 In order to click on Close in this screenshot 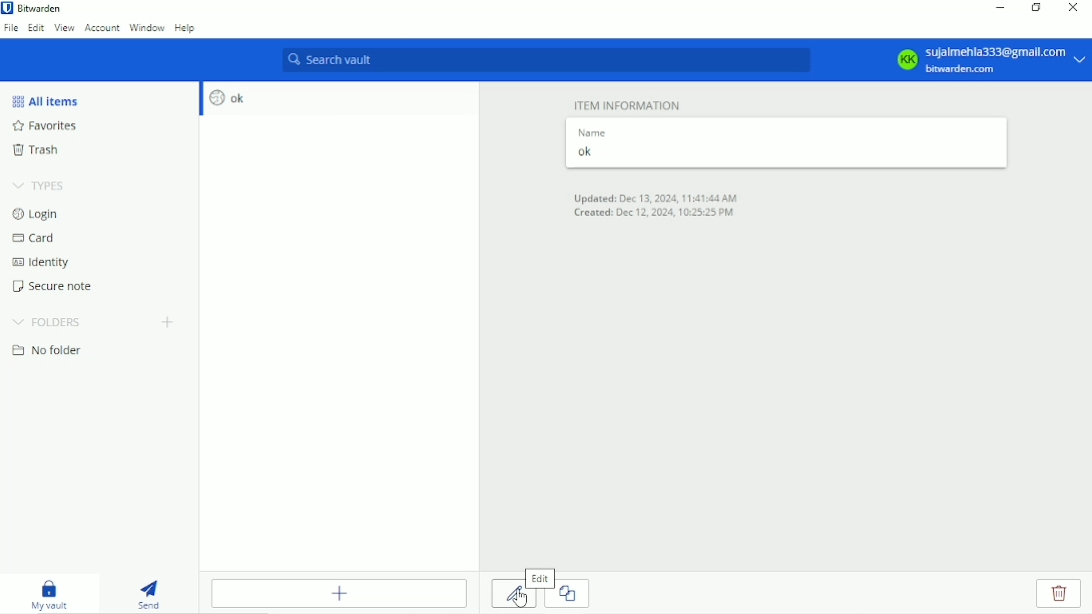, I will do `click(1076, 9)`.